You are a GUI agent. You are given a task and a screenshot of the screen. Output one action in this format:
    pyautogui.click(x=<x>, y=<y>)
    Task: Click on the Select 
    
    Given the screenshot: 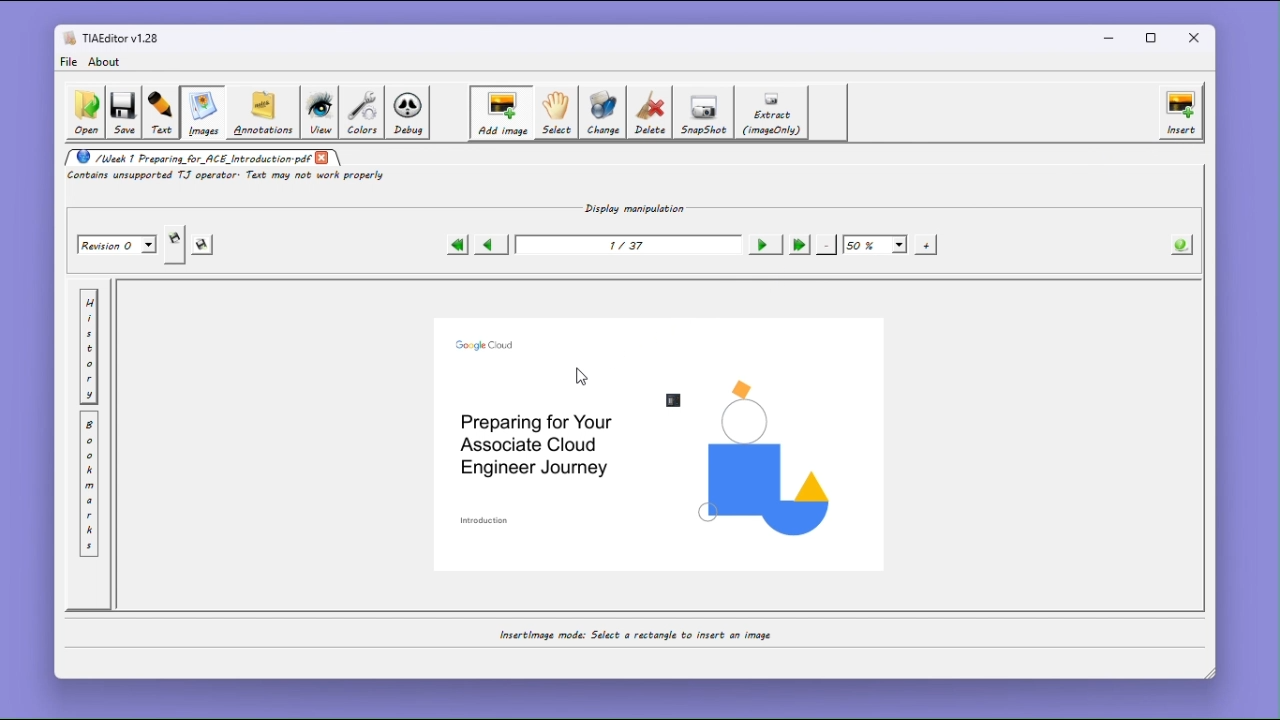 What is the action you would take?
    pyautogui.click(x=555, y=113)
    